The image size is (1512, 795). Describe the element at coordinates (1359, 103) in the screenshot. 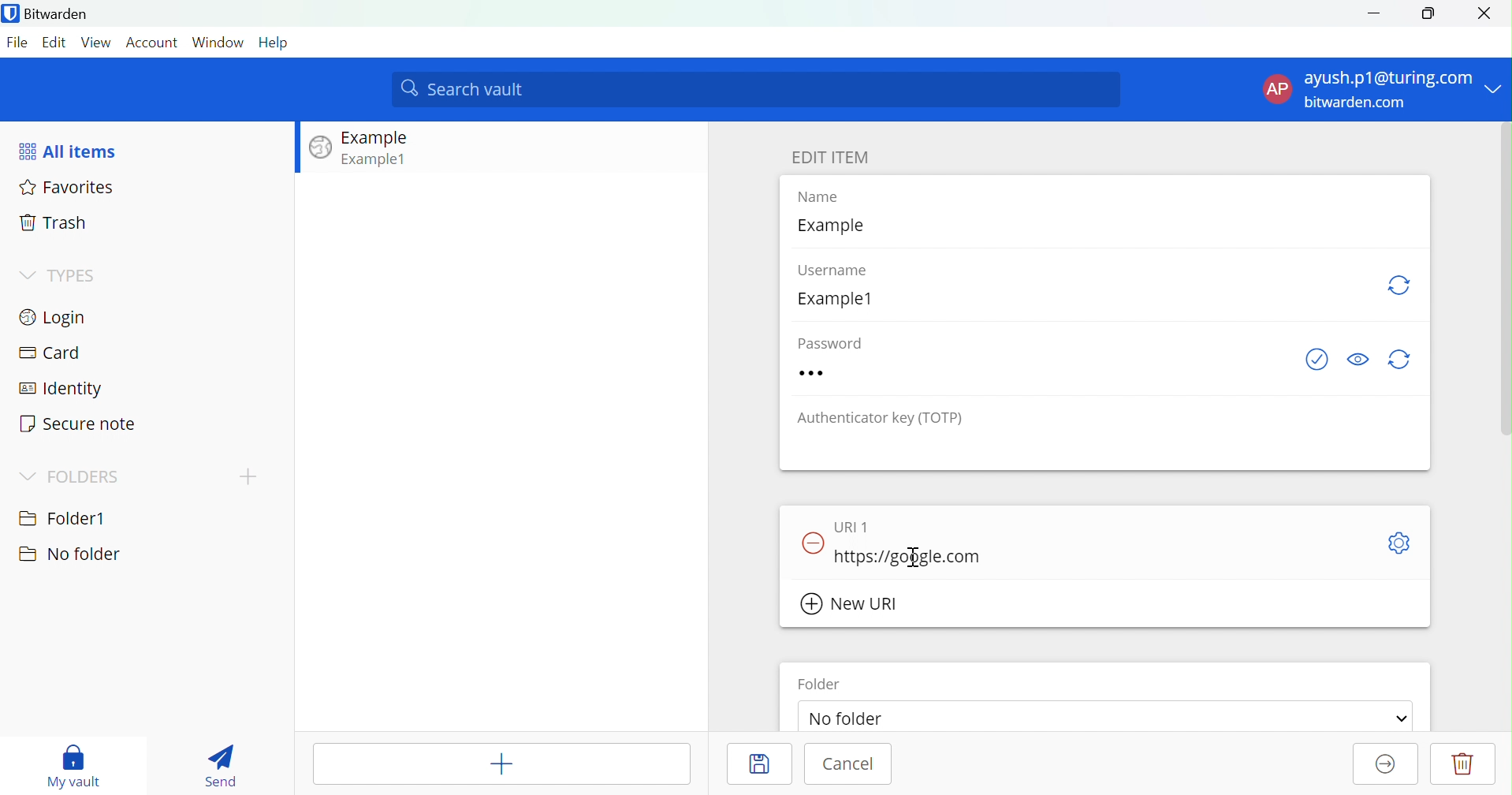

I see `bitwarden.com` at that location.